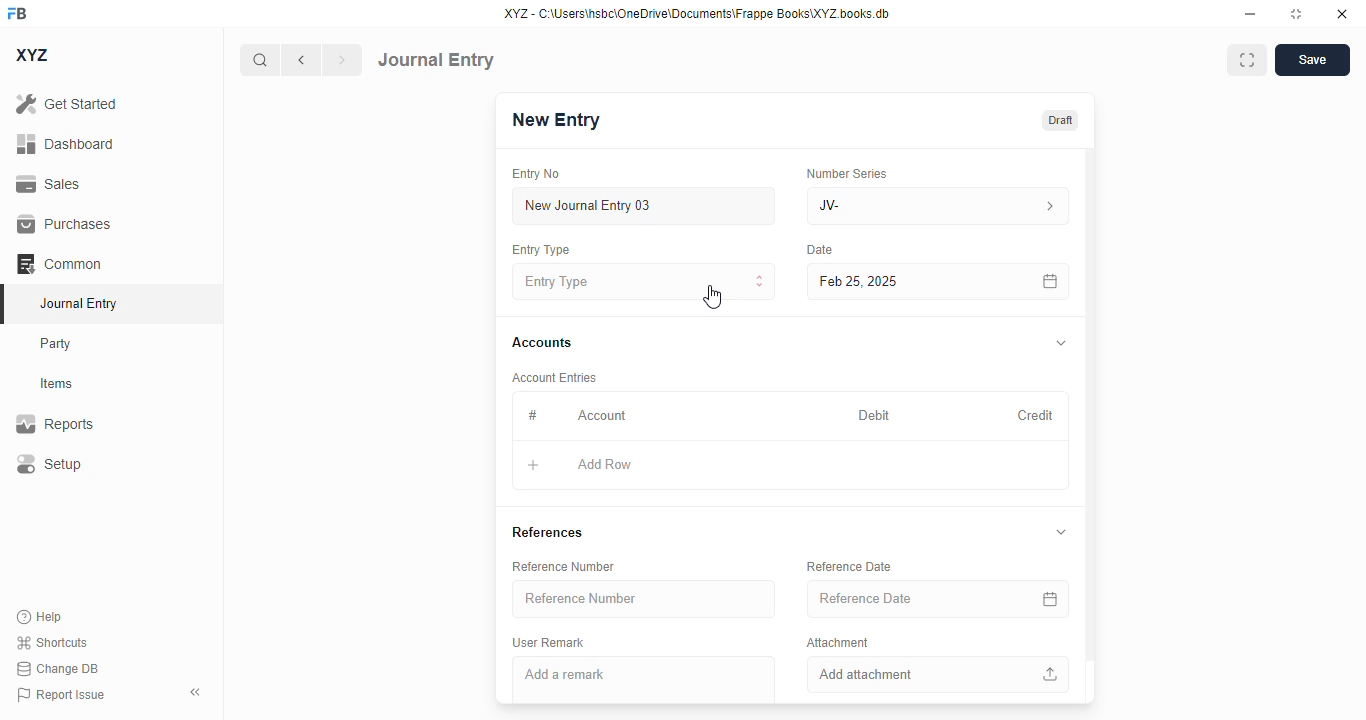 Image resolution: width=1366 pixels, height=720 pixels. I want to click on previous, so click(301, 60).